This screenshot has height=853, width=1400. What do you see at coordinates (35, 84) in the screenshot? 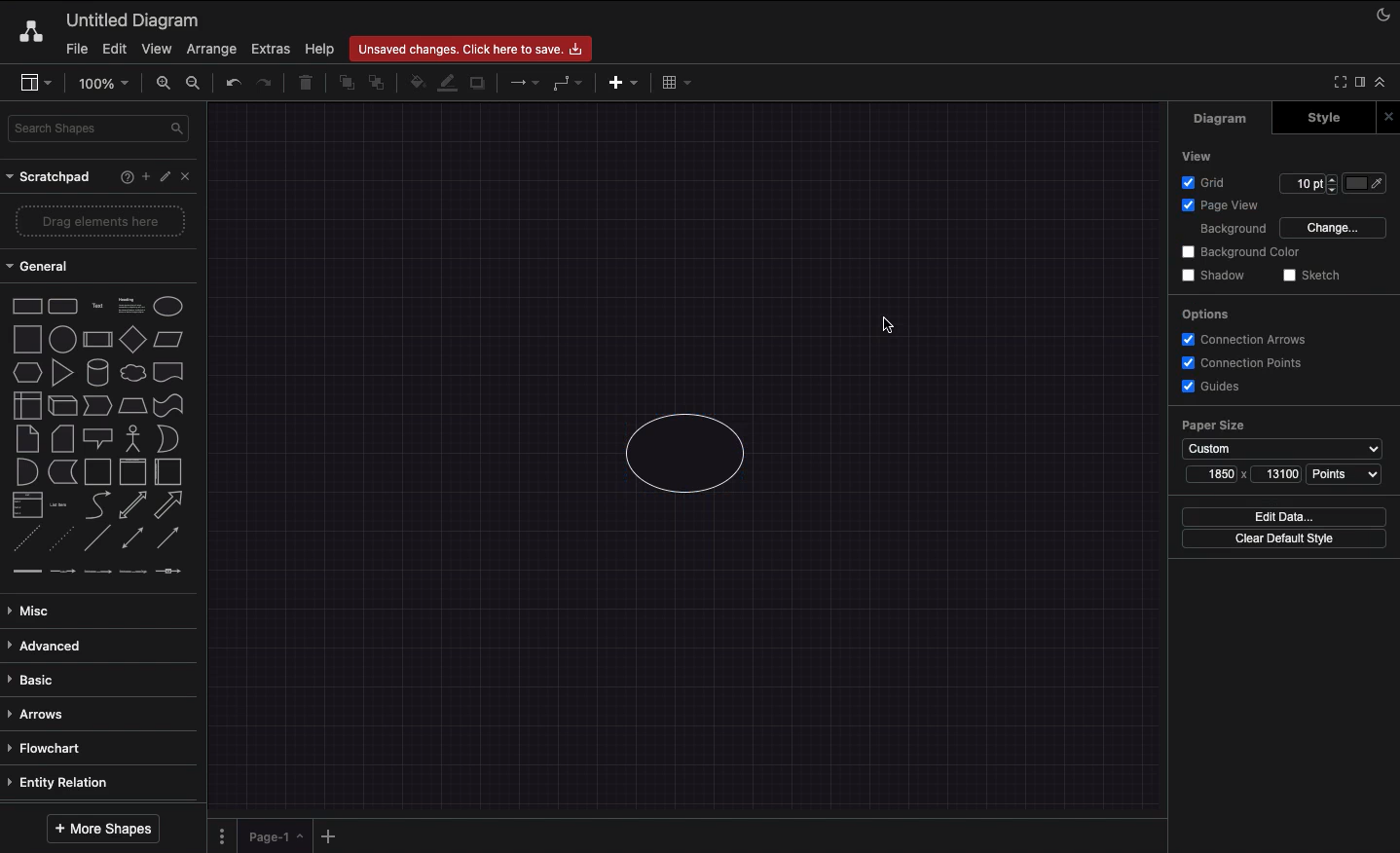
I see `Sidebar ` at bounding box center [35, 84].